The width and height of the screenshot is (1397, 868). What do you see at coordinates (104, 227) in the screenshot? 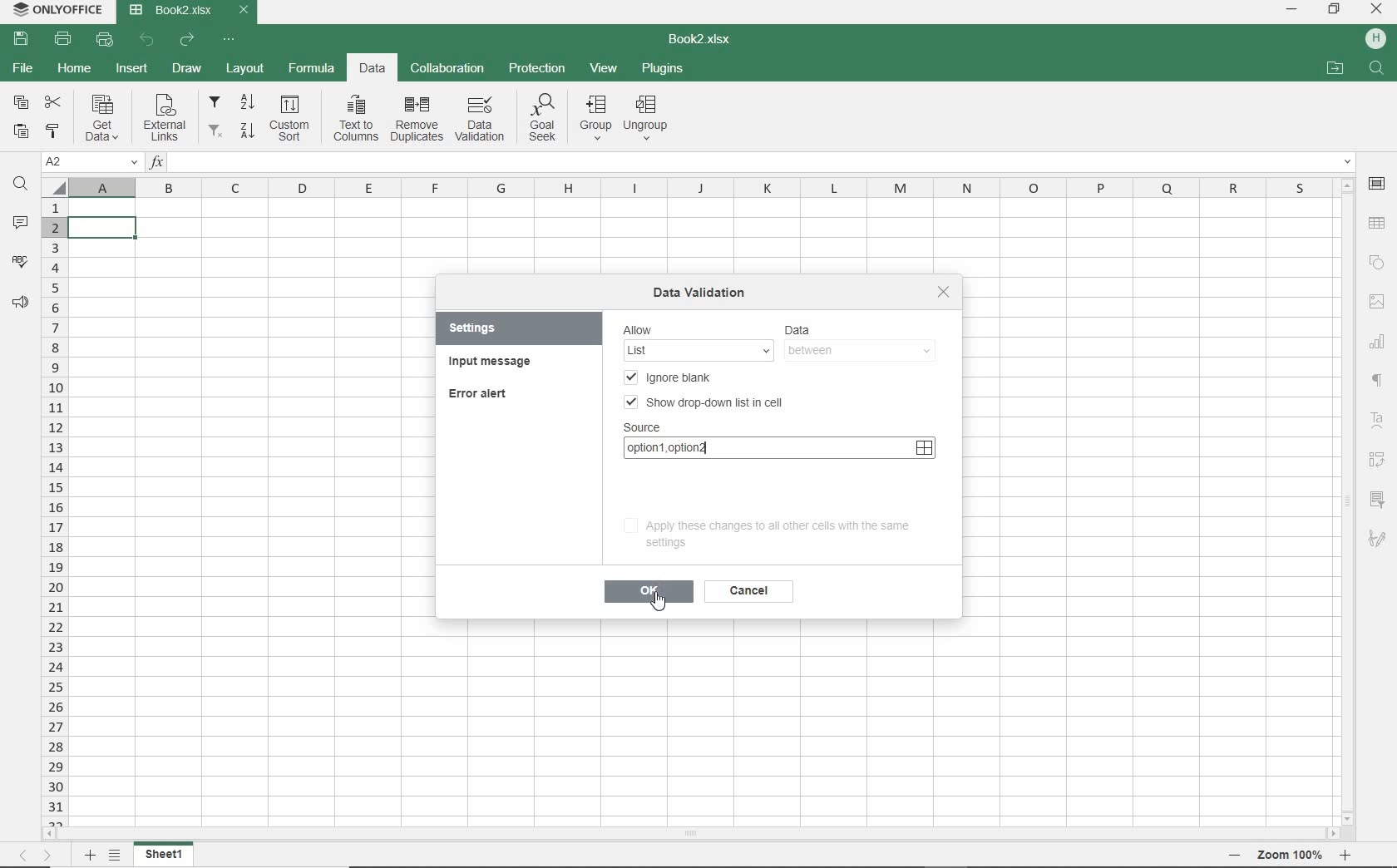
I see `SELECTED cell` at bounding box center [104, 227].